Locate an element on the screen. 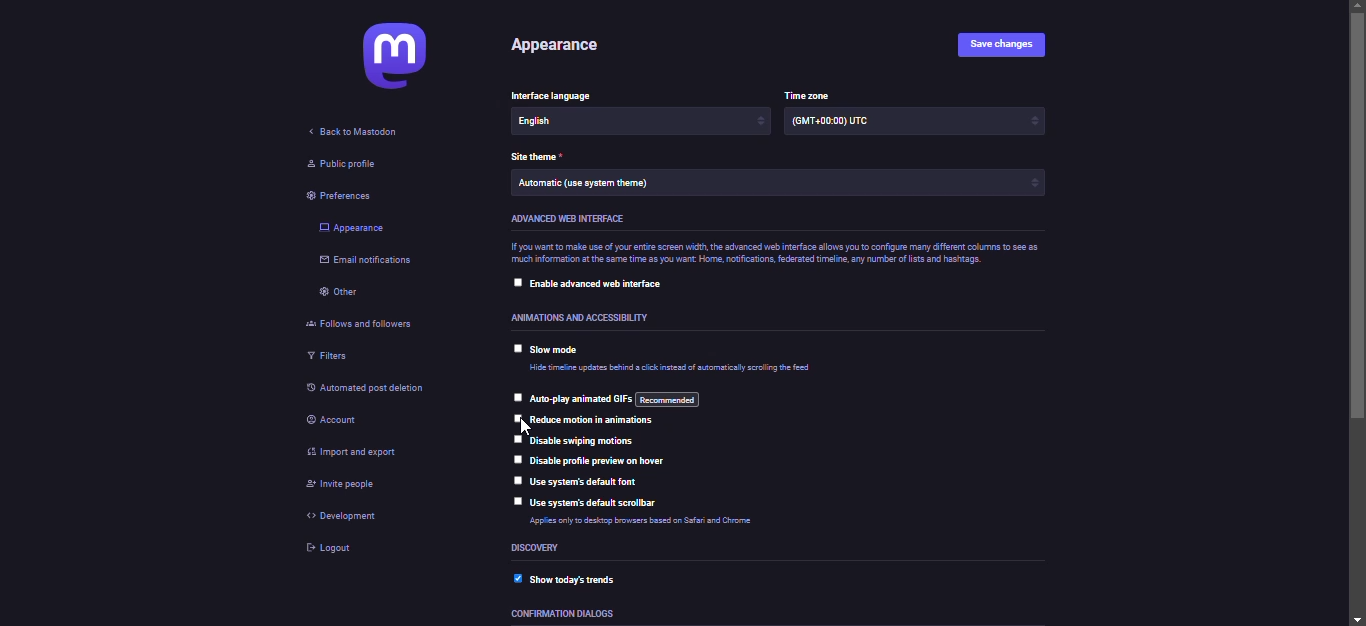  language is located at coordinates (560, 94).